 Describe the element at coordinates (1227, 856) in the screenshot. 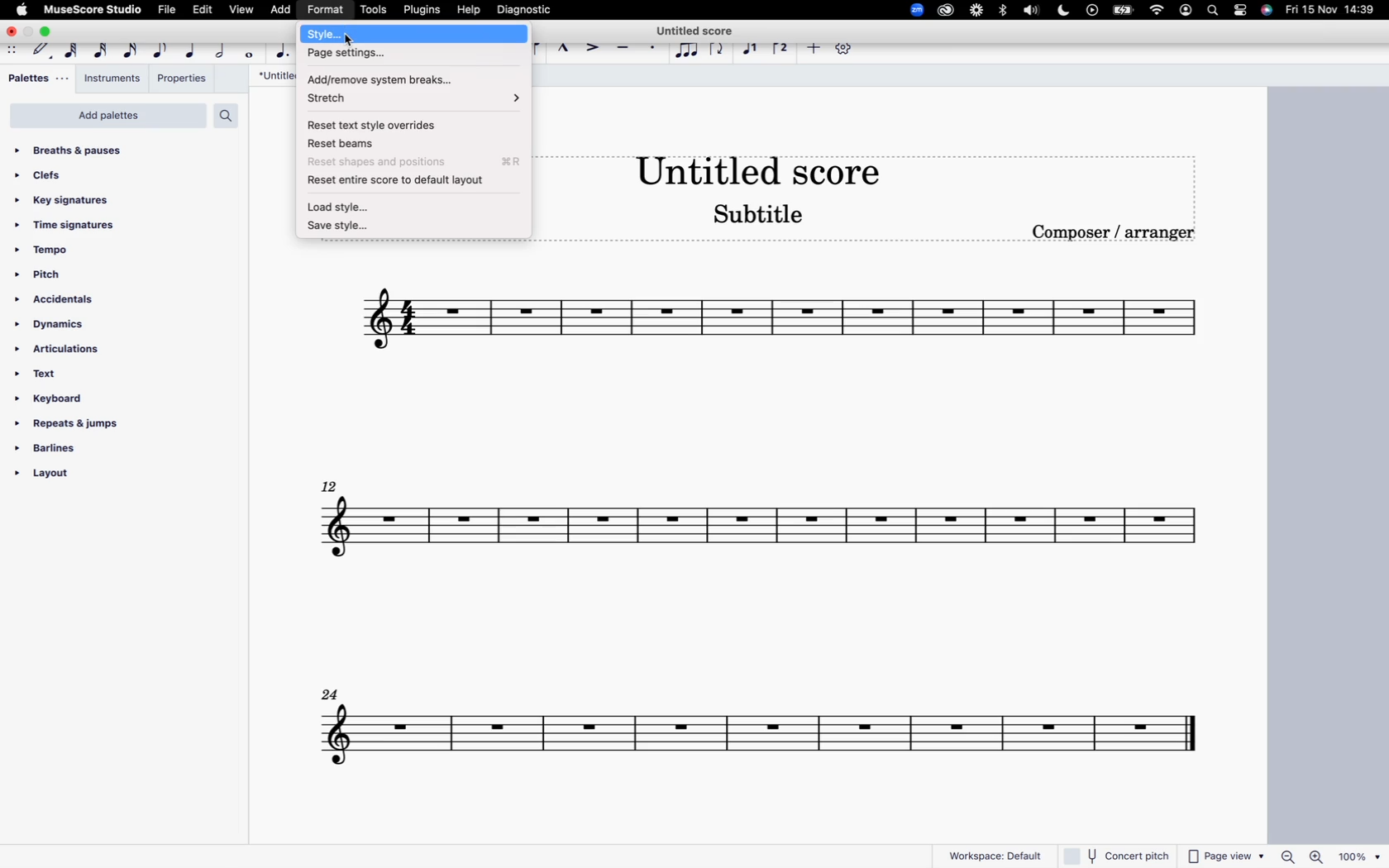

I see `Page view` at that location.